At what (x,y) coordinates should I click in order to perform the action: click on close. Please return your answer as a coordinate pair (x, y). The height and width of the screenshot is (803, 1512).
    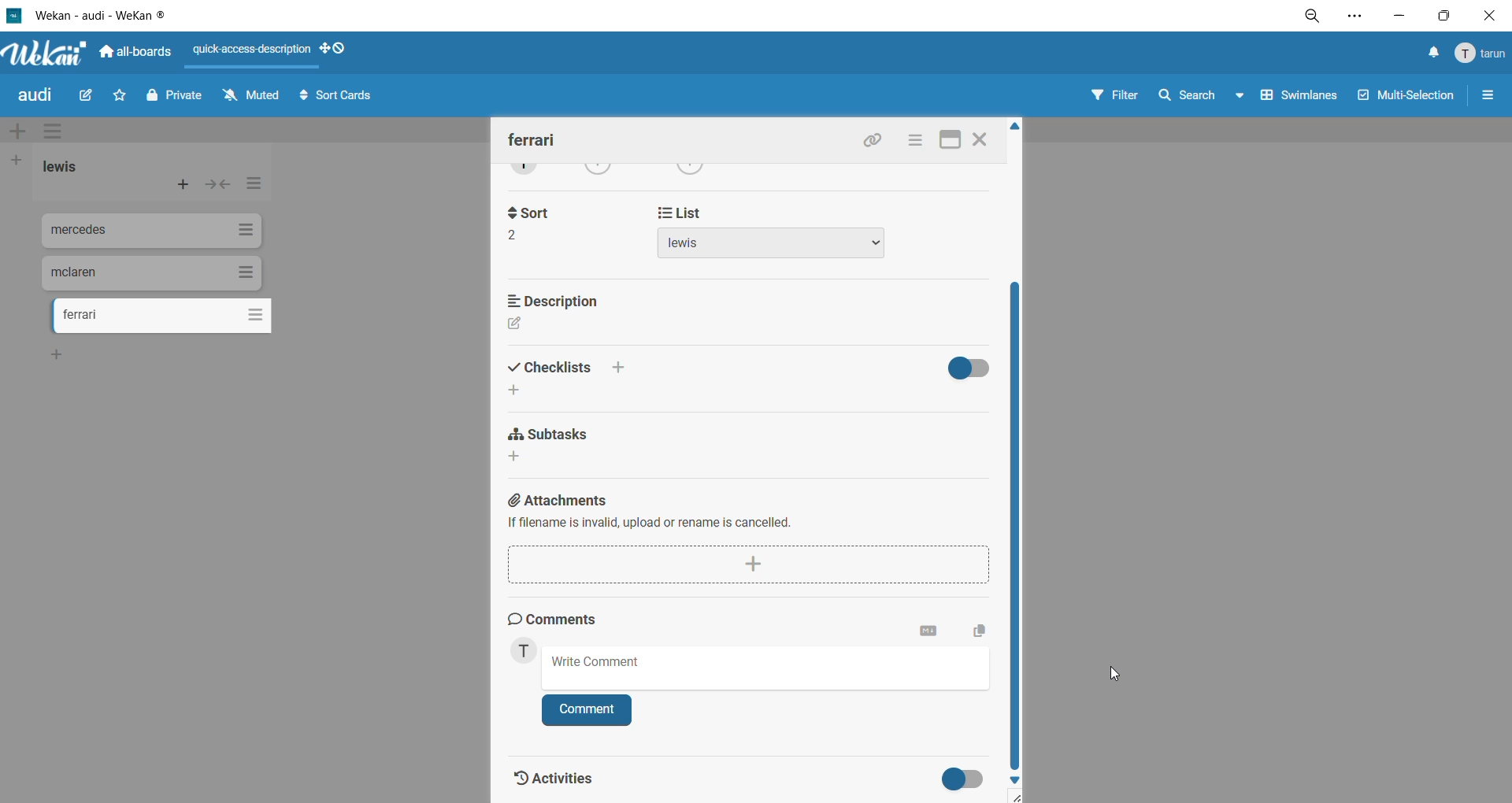
    Looking at the image, I should click on (1487, 15).